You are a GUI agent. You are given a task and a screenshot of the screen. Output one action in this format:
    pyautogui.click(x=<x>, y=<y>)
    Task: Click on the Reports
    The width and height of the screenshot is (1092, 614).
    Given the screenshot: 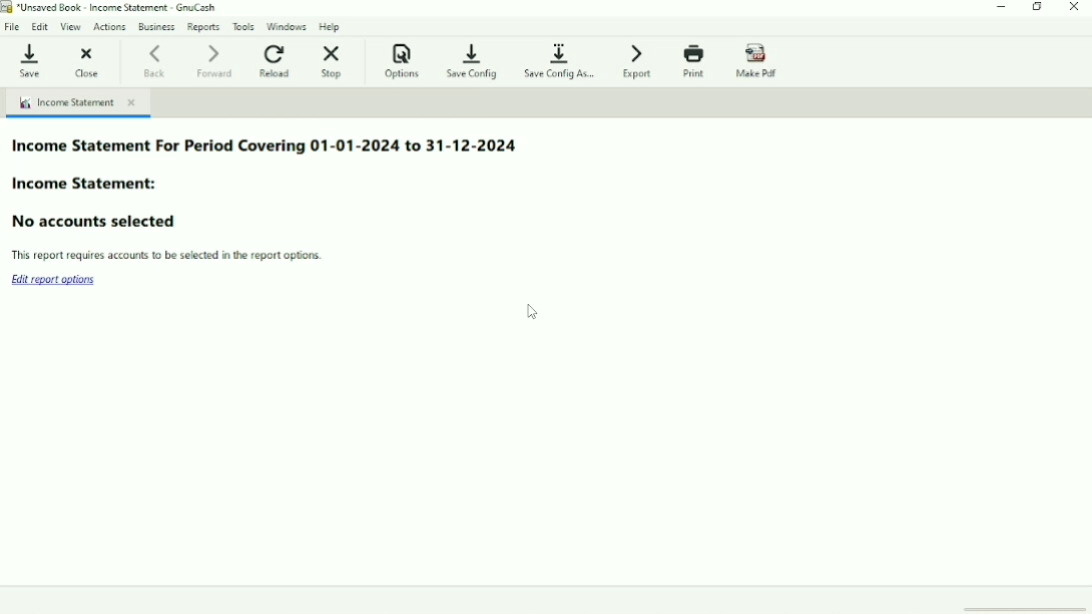 What is the action you would take?
    pyautogui.click(x=204, y=27)
    